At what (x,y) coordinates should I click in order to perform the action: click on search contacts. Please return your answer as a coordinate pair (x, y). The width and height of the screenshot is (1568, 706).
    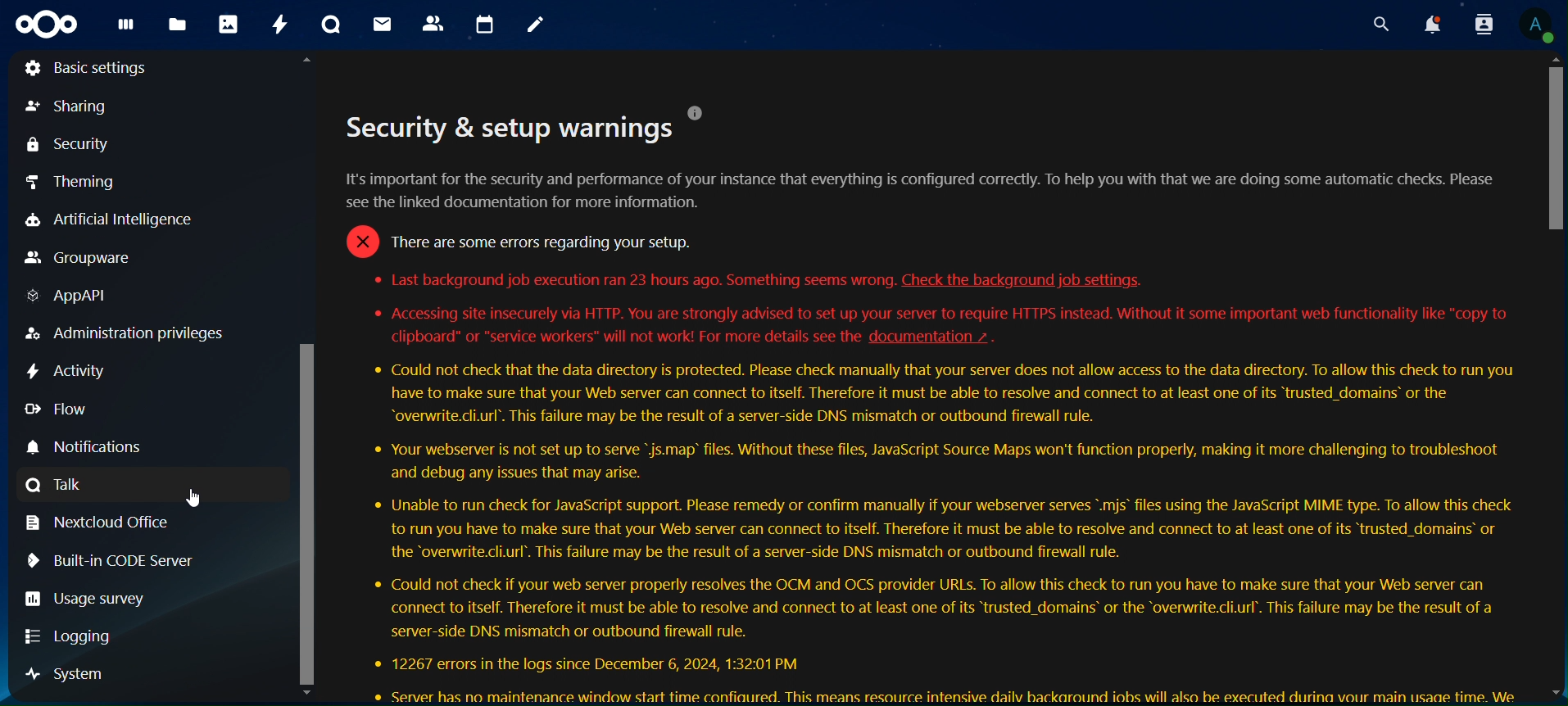
    Looking at the image, I should click on (1480, 25).